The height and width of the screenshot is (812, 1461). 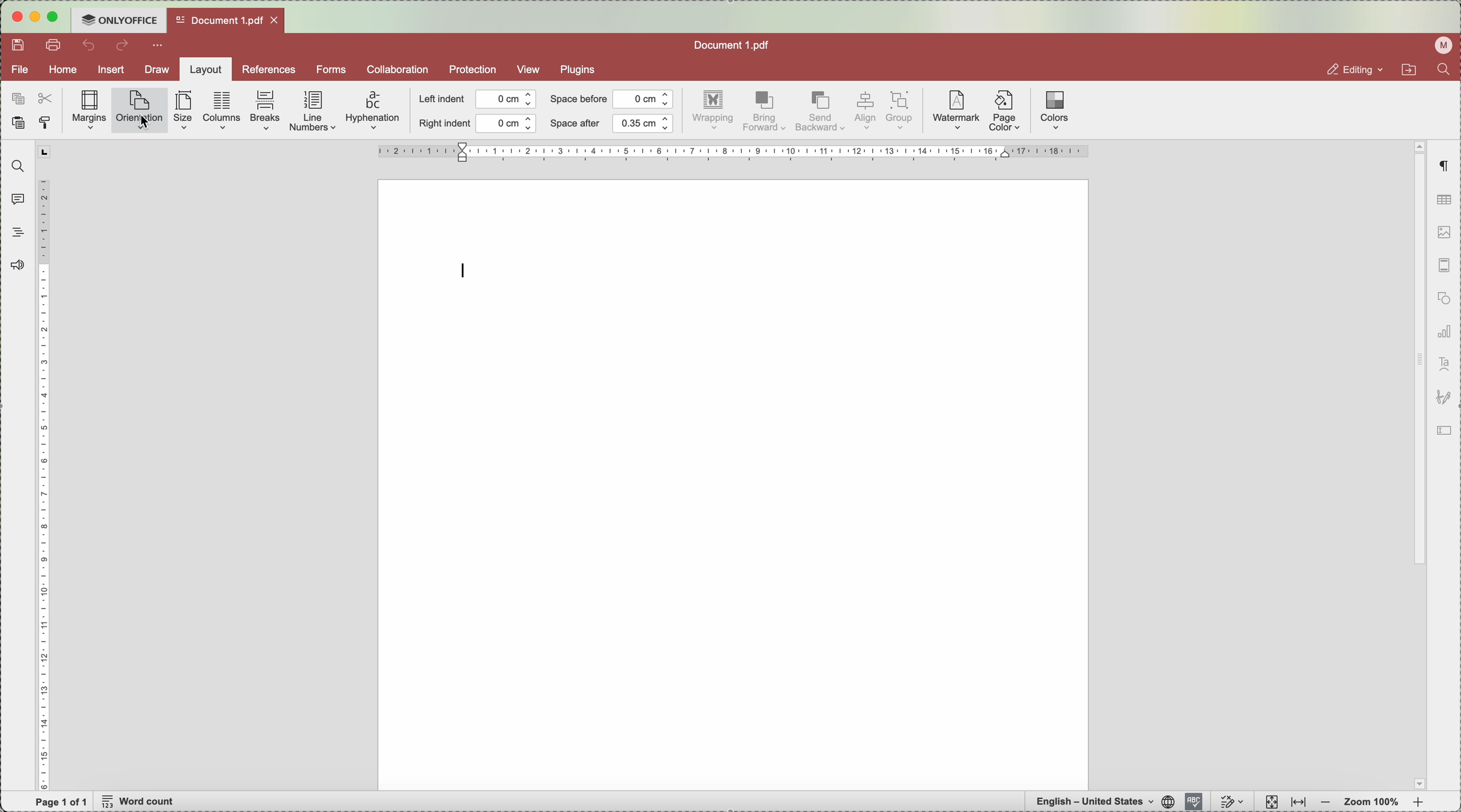 I want to click on icon, so click(x=1447, y=432).